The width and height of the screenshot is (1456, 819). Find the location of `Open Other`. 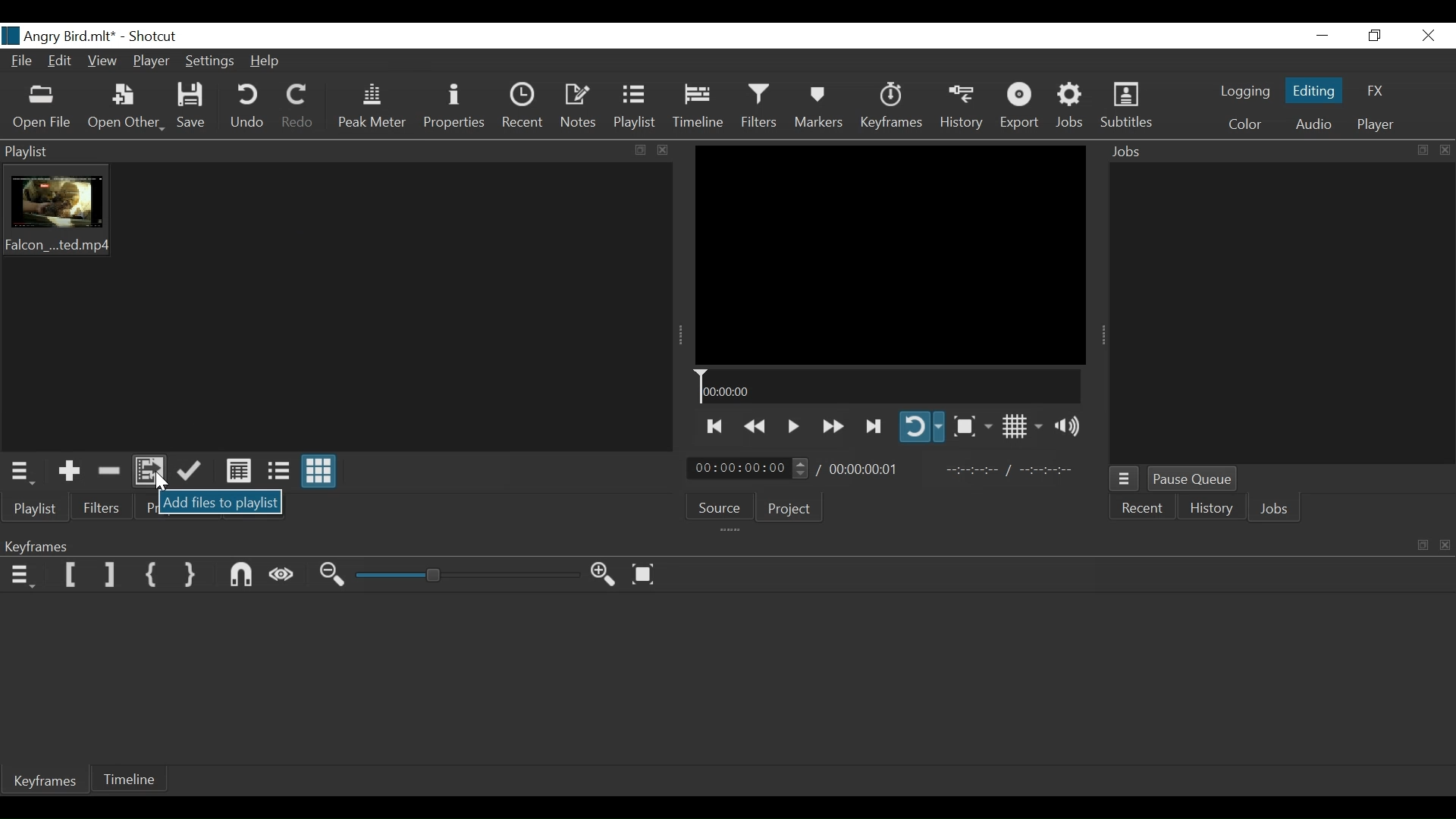

Open Other is located at coordinates (125, 108).